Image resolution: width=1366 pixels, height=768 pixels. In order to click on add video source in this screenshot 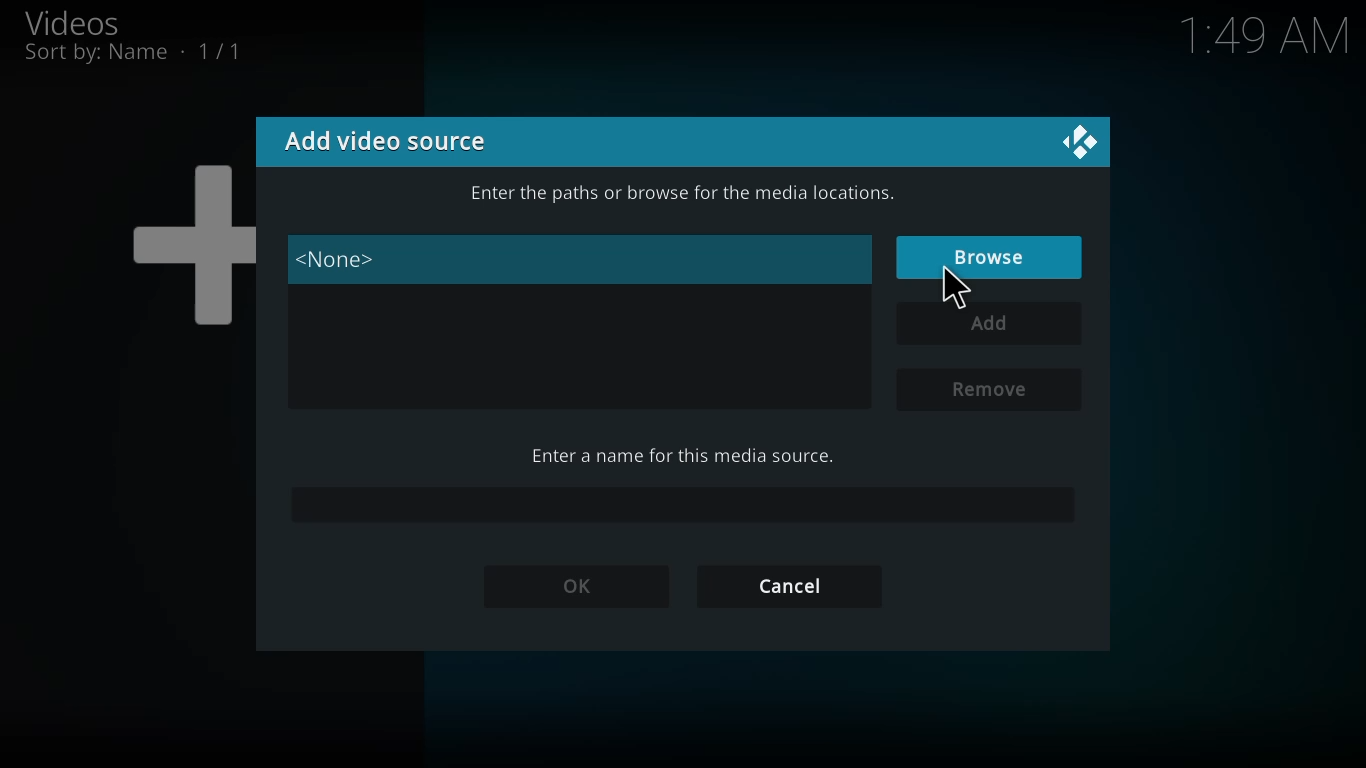, I will do `click(388, 138)`.